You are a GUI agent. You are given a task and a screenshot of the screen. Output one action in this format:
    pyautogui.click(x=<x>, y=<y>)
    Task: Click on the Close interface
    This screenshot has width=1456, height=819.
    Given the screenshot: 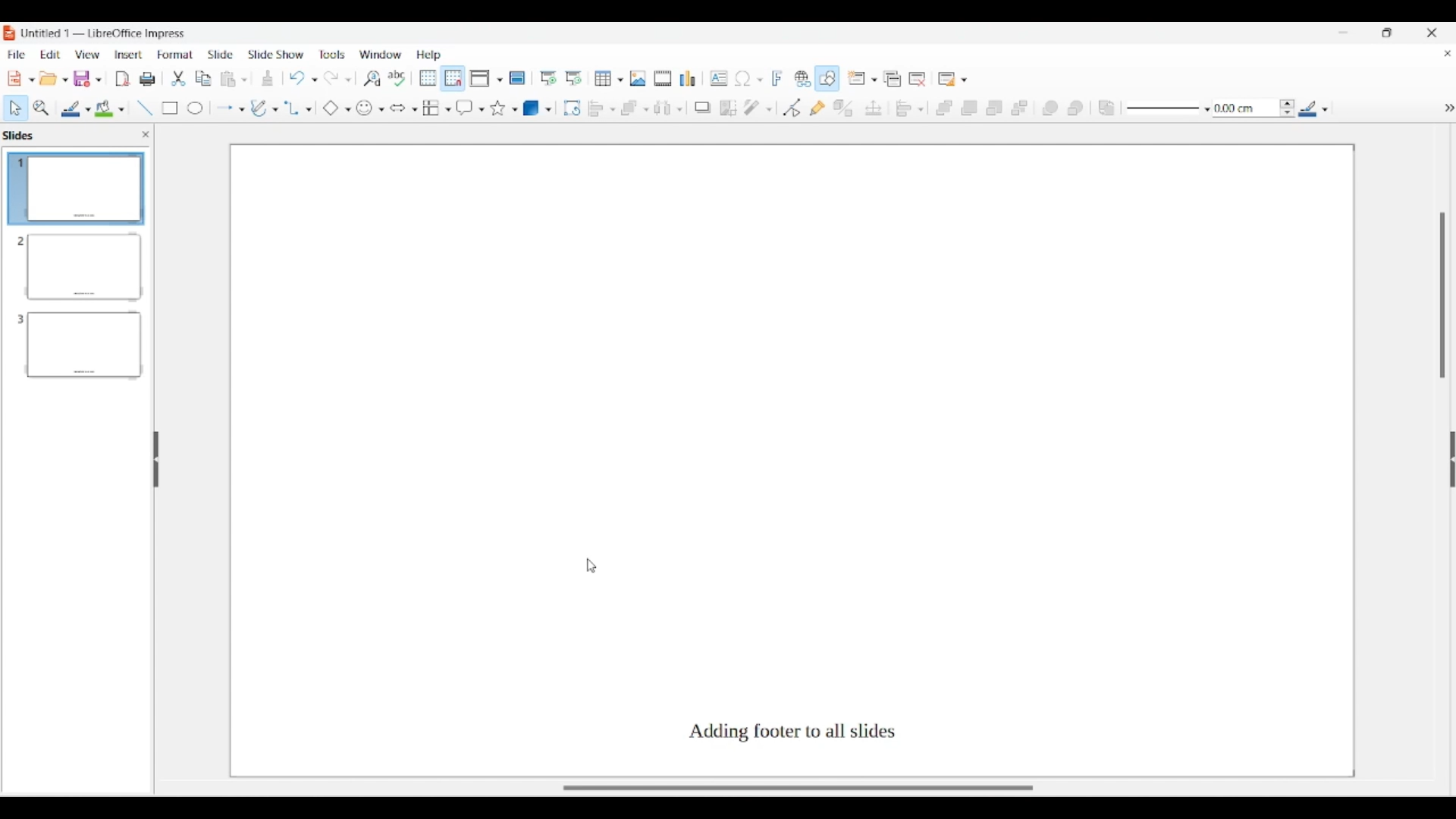 What is the action you would take?
    pyautogui.click(x=1432, y=33)
    